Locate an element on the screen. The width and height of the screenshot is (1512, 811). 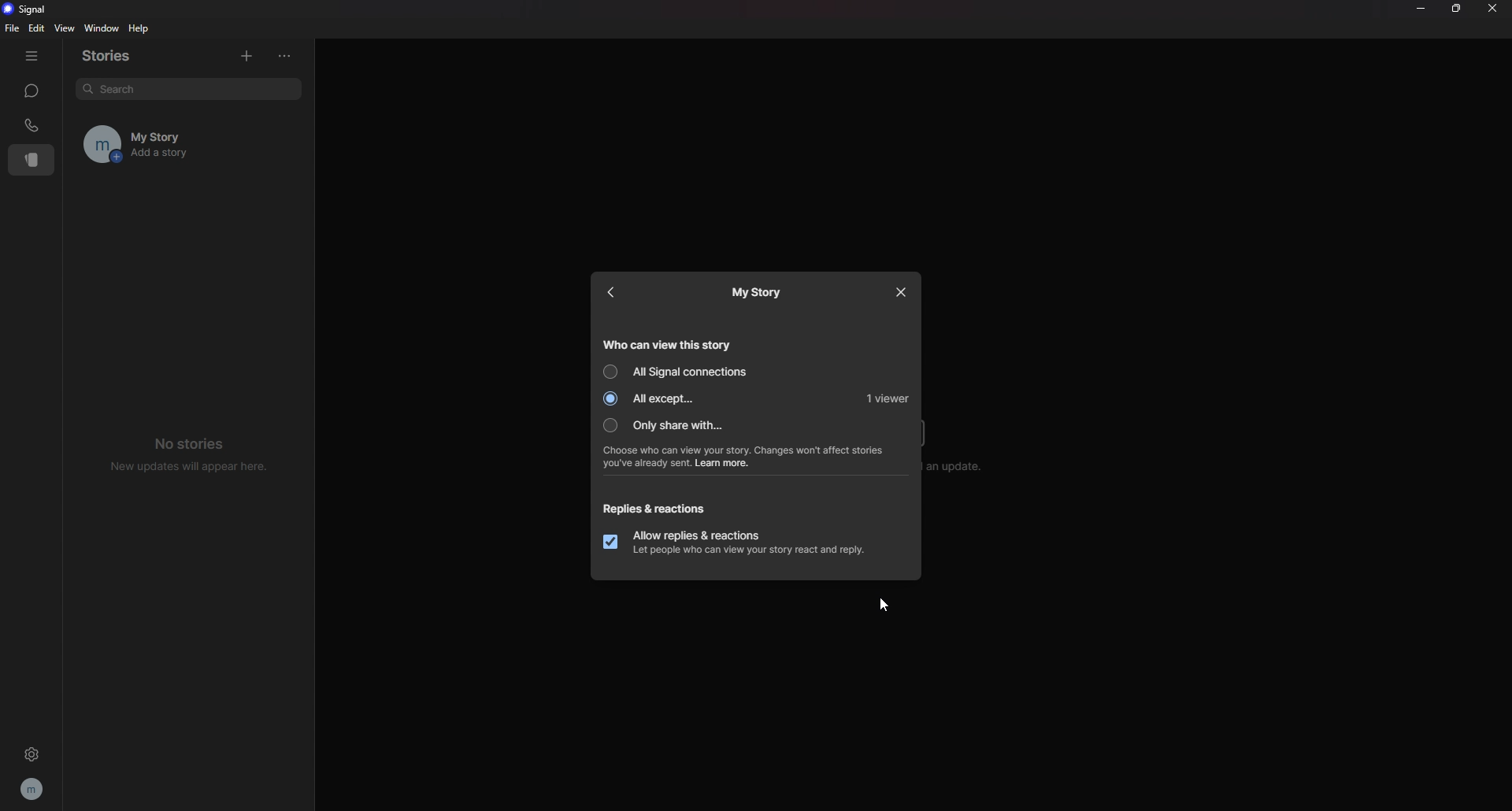
cursor is located at coordinates (882, 605).